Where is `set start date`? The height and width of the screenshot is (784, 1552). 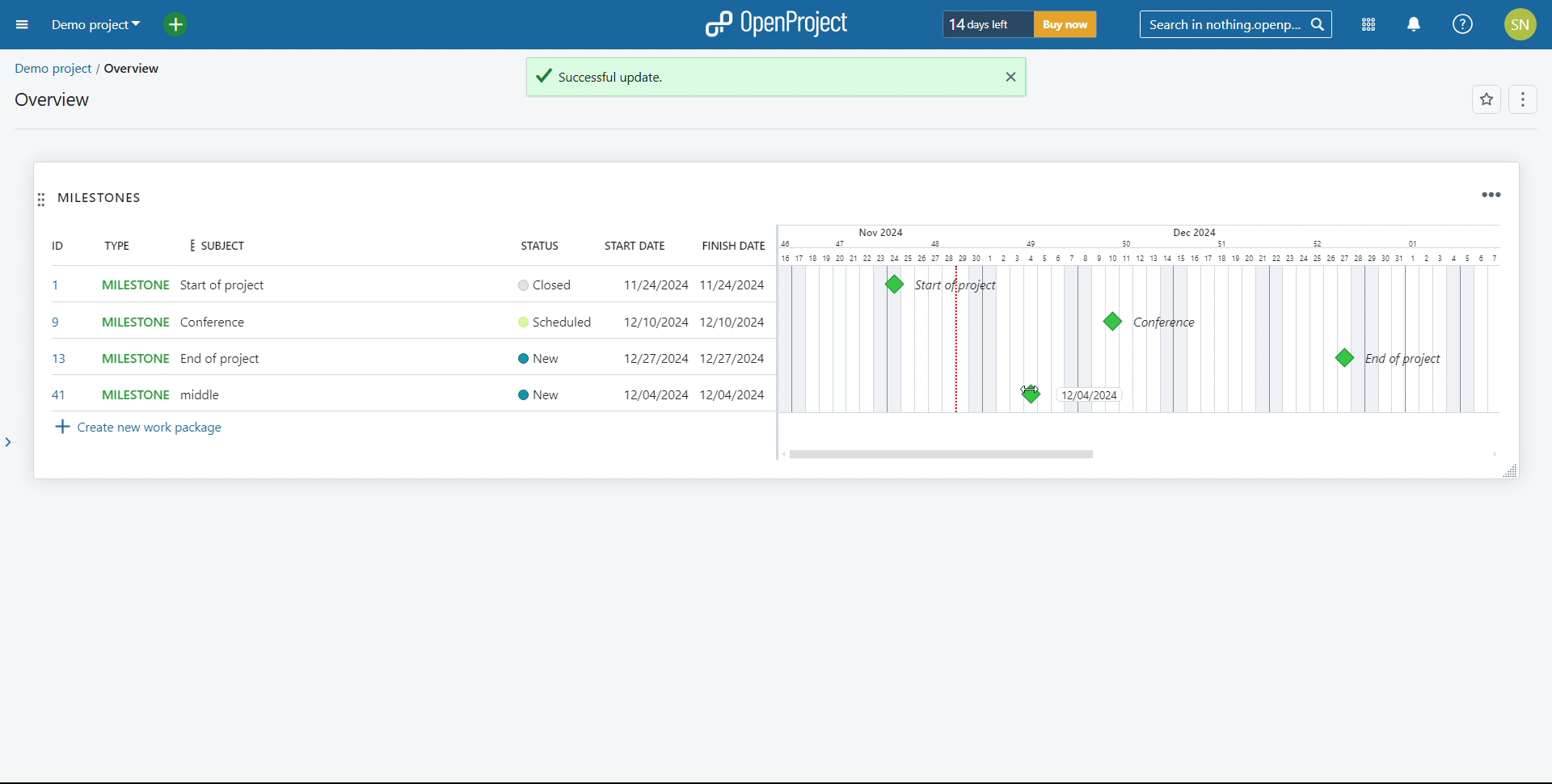 set start date is located at coordinates (653, 324).